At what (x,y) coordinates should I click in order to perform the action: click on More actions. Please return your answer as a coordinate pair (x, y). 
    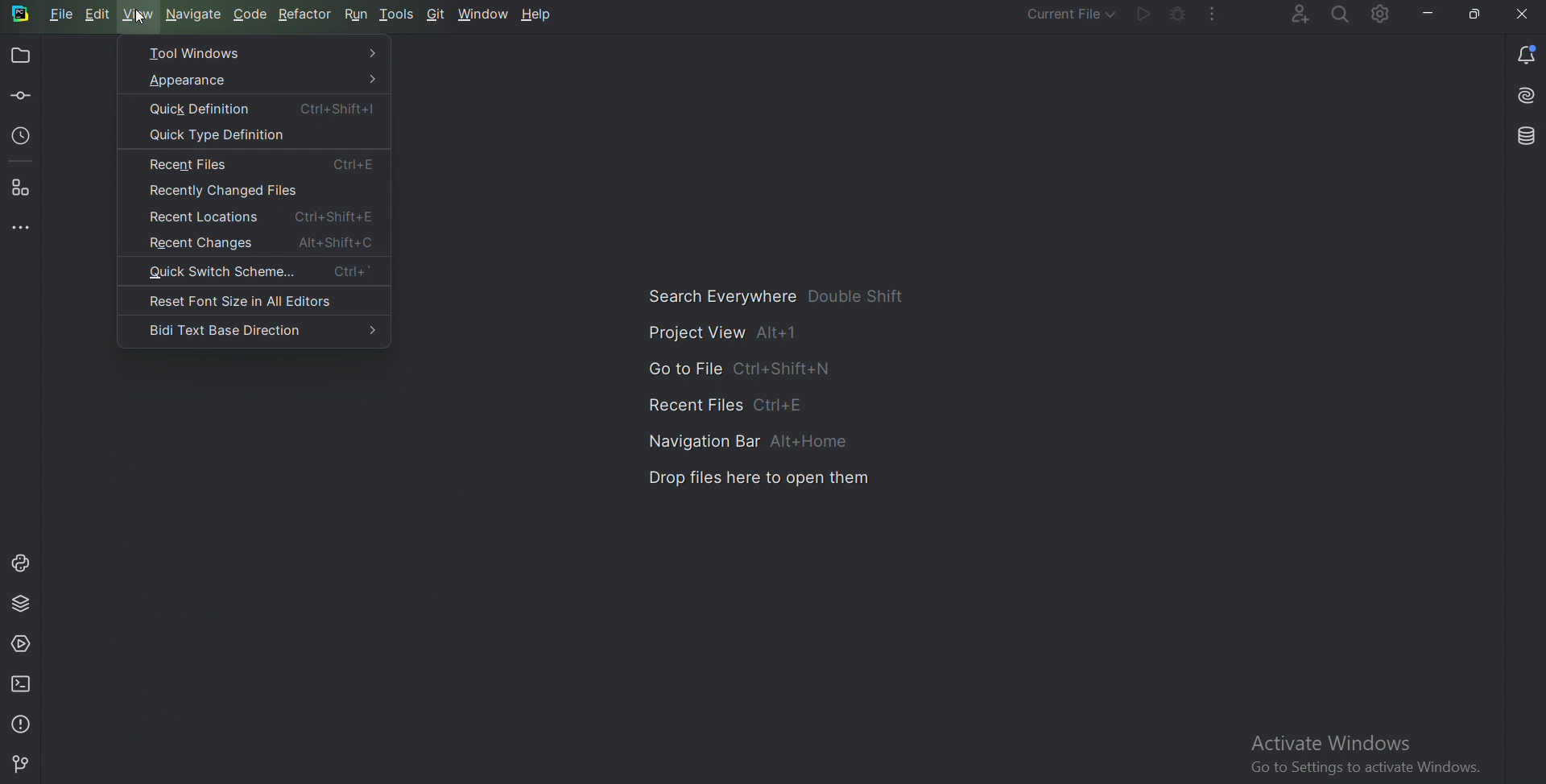
    Looking at the image, I should click on (1211, 14).